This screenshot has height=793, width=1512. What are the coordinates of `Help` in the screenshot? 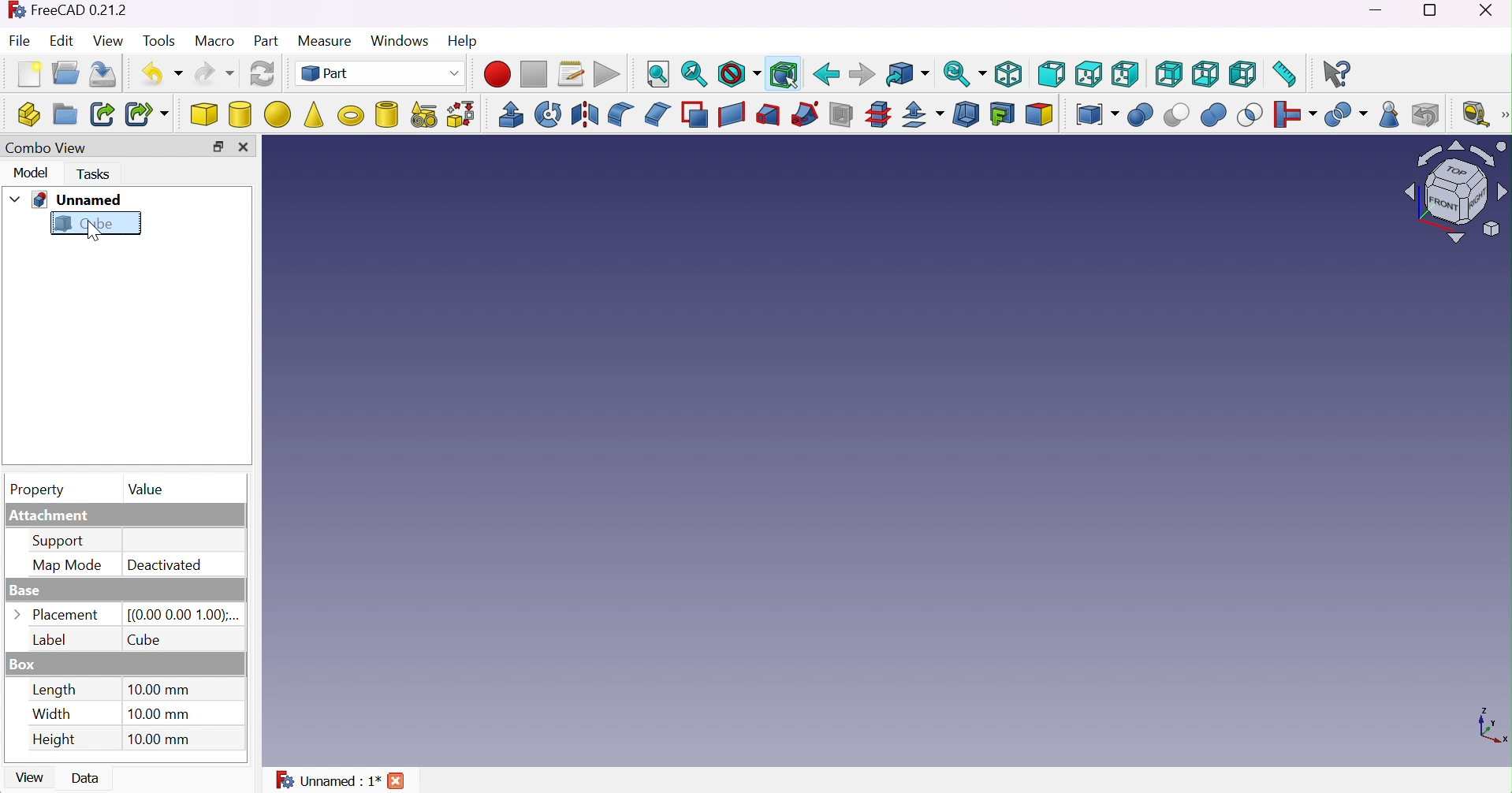 It's located at (465, 40).